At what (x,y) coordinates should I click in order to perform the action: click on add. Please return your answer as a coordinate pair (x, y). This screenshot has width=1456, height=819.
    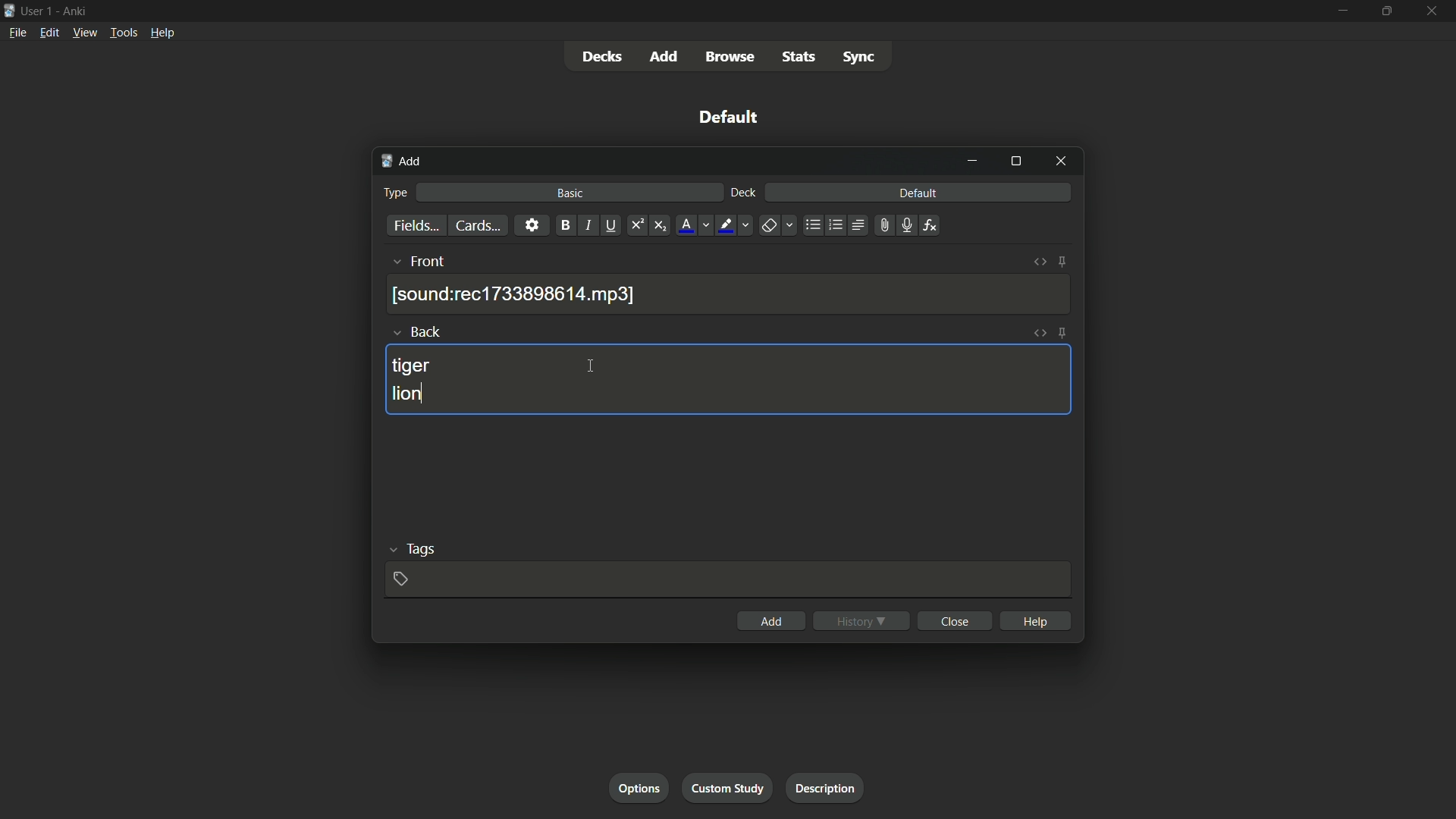
    Looking at the image, I should click on (770, 621).